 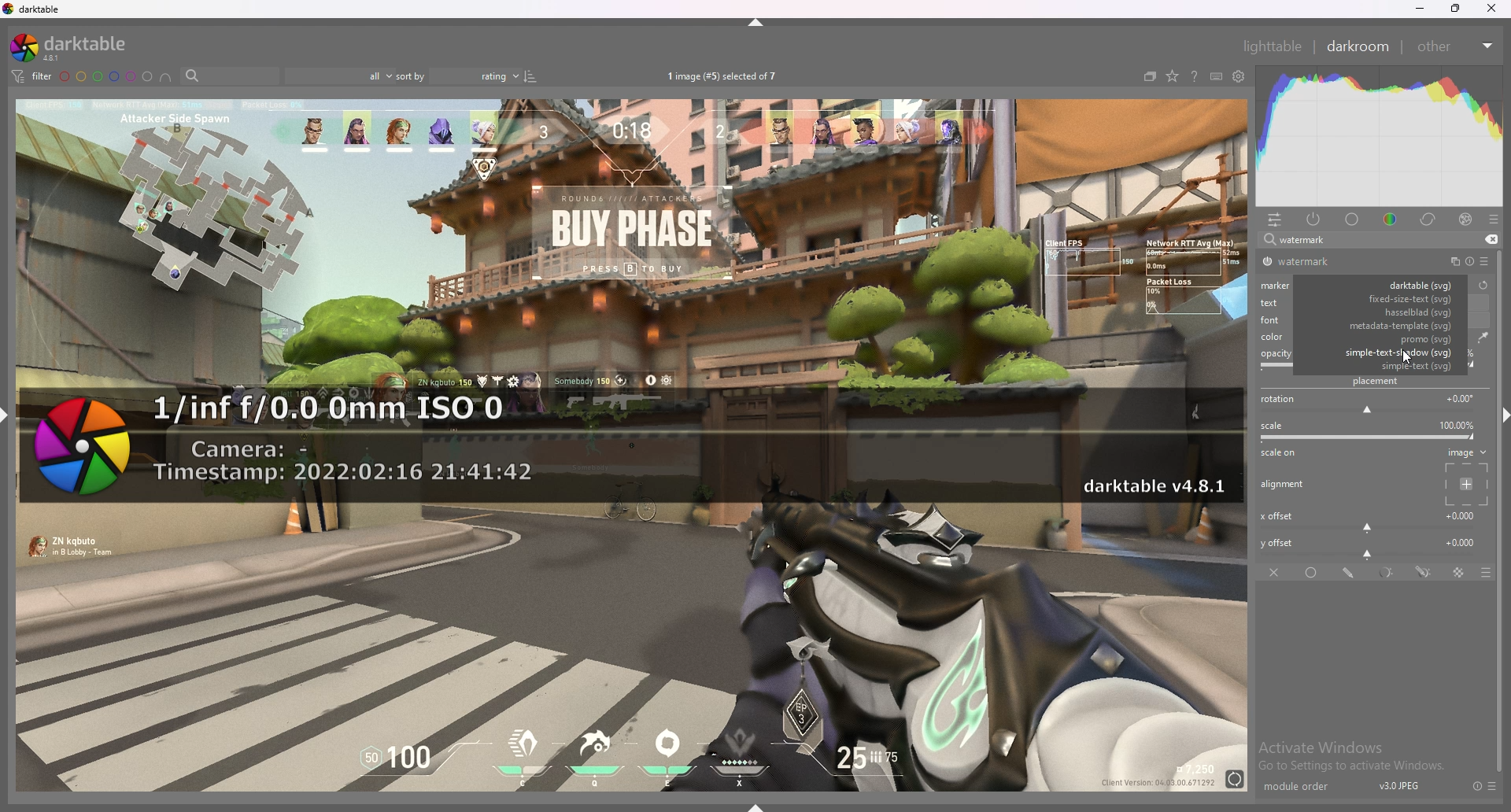 I want to click on presets, so click(x=1494, y=220).